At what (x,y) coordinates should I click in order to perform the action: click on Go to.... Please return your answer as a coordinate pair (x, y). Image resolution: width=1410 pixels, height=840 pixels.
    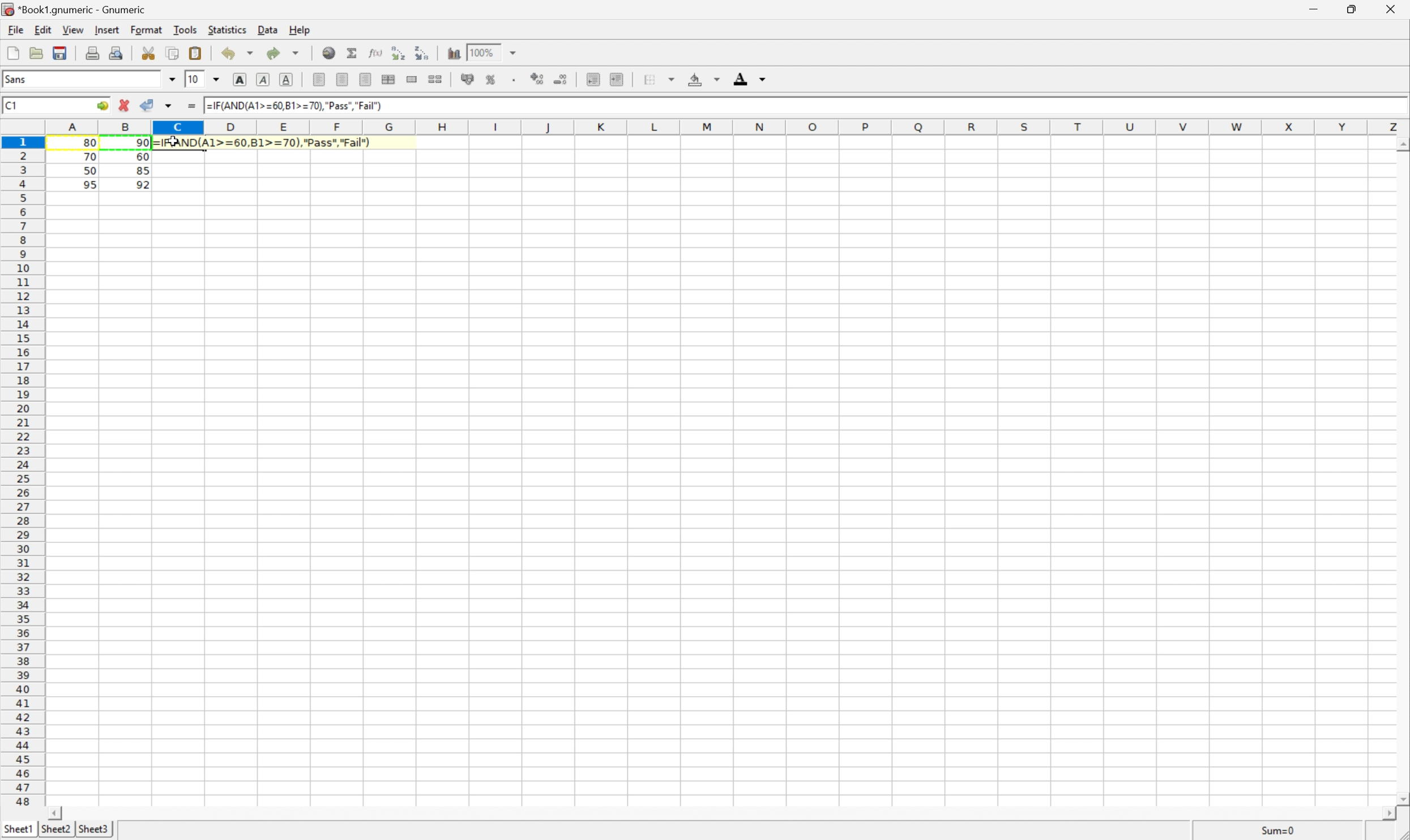
    Looking at the image, I should click on (103, 106).